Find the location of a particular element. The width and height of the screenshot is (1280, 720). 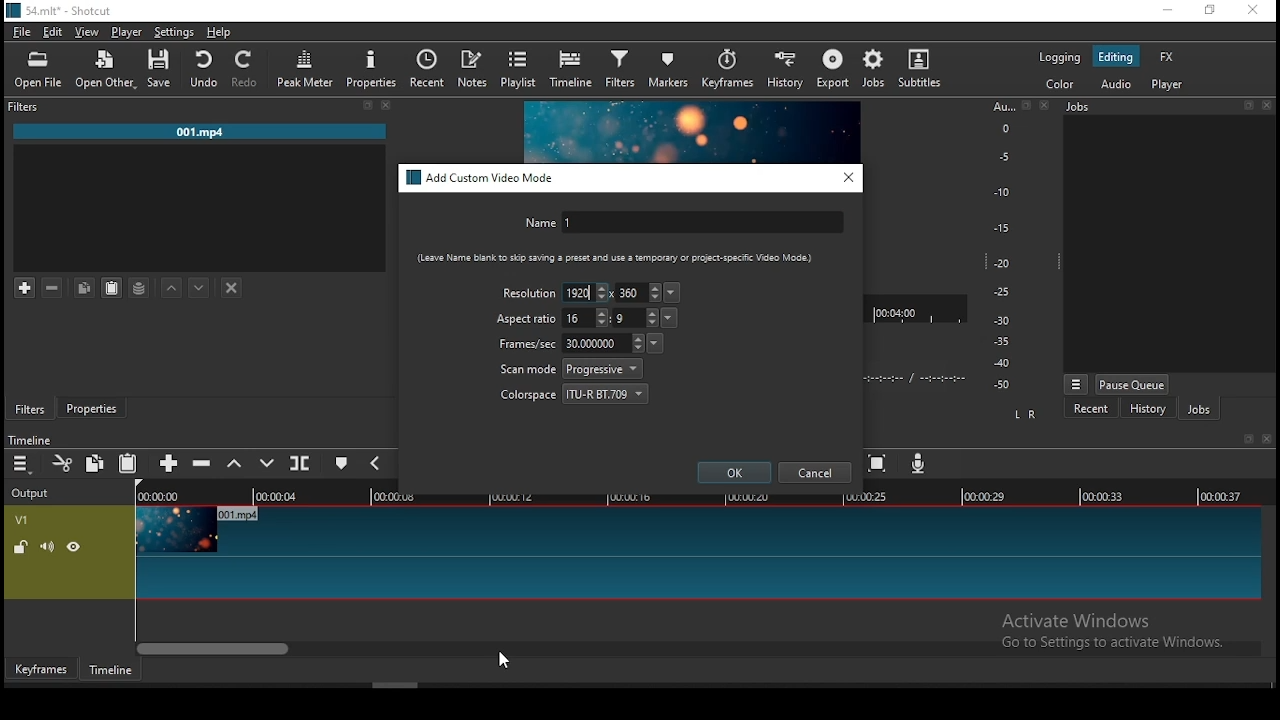

unlock is located at coordinates (20, 549).